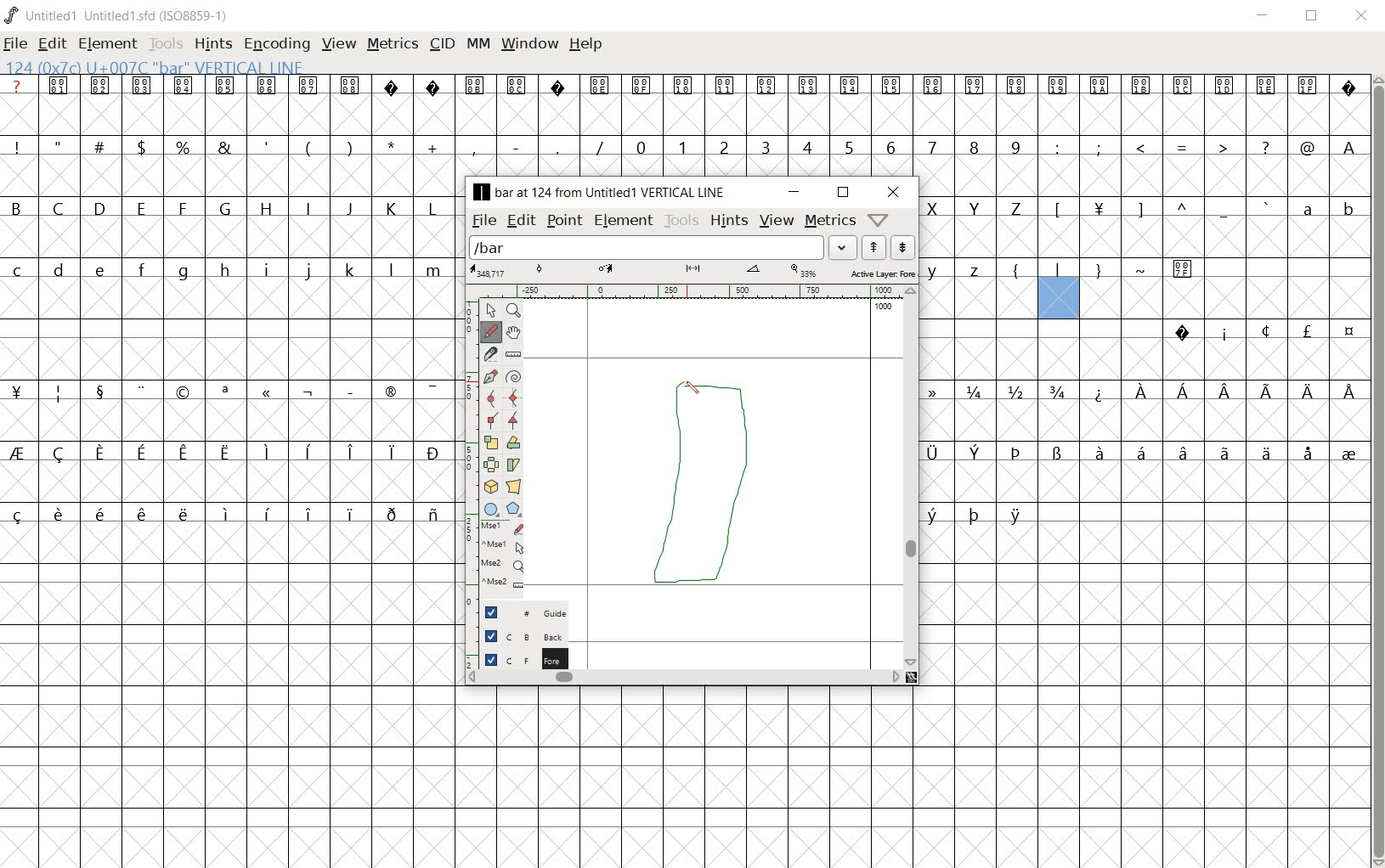 This screenshot has width=1385, height=868. I want to click on empty cells, so click(230, 696).